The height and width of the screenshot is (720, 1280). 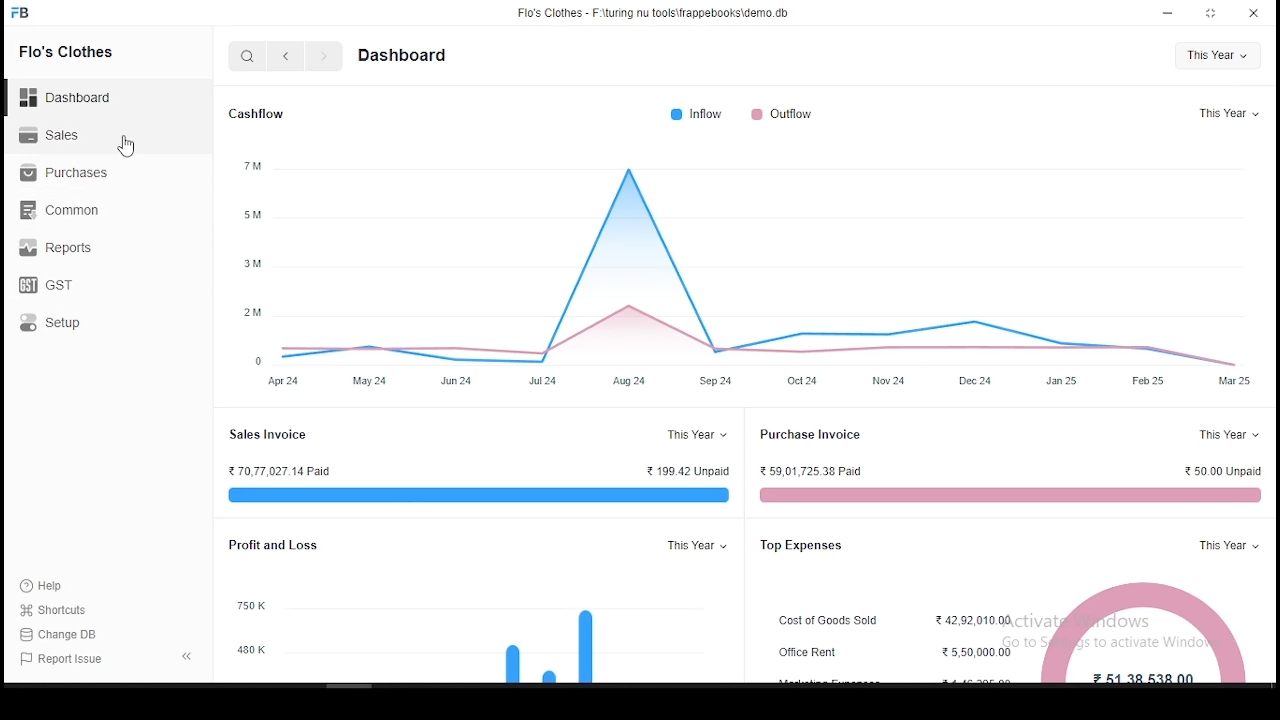 I want to click on 7M, so click(x=245, y=166).